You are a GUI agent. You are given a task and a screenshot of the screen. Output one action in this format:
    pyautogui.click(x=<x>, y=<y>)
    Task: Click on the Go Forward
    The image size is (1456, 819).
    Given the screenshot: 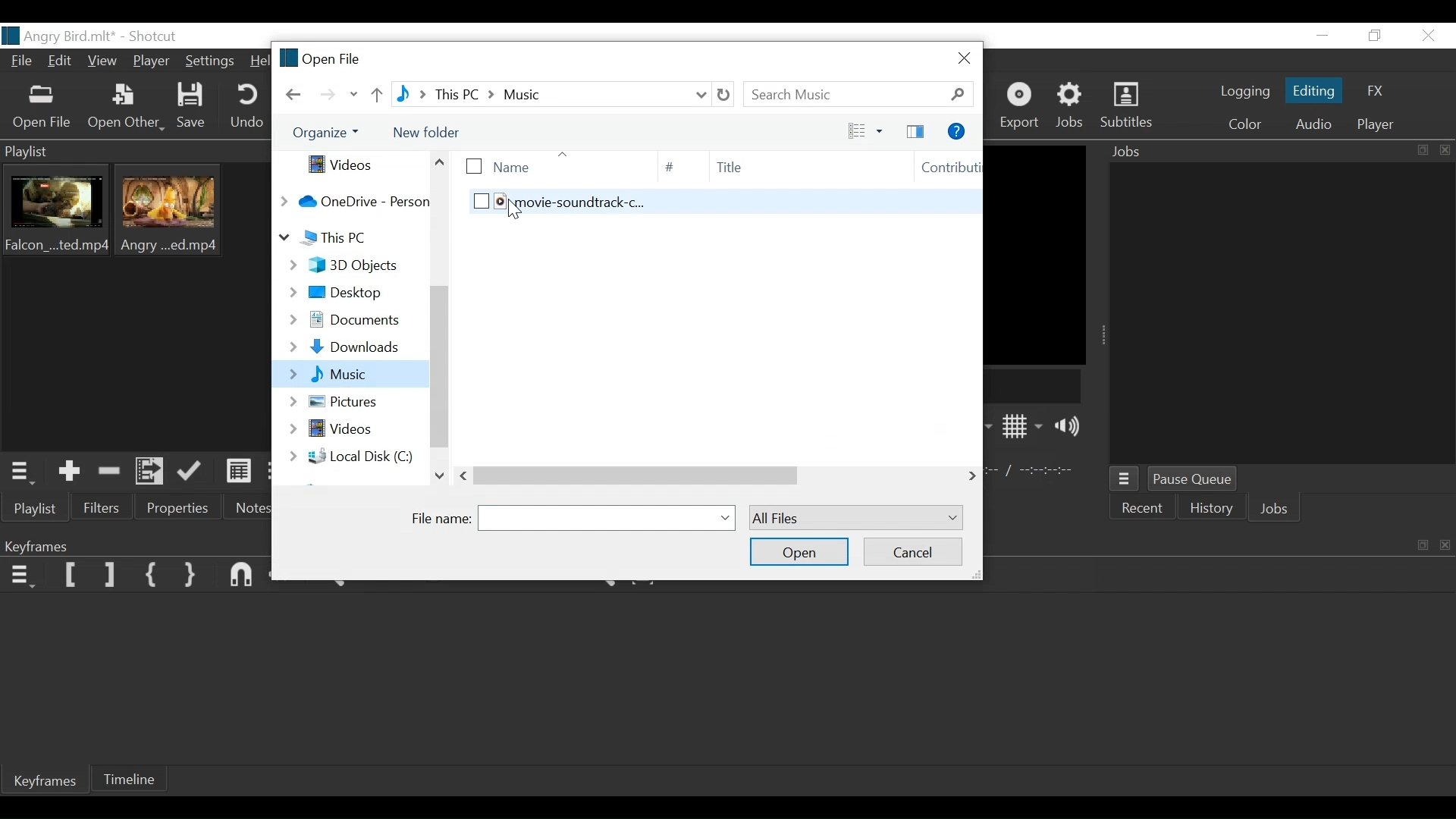 What is the action you would take?
    pyautogui.click(x=330, y=95)
    